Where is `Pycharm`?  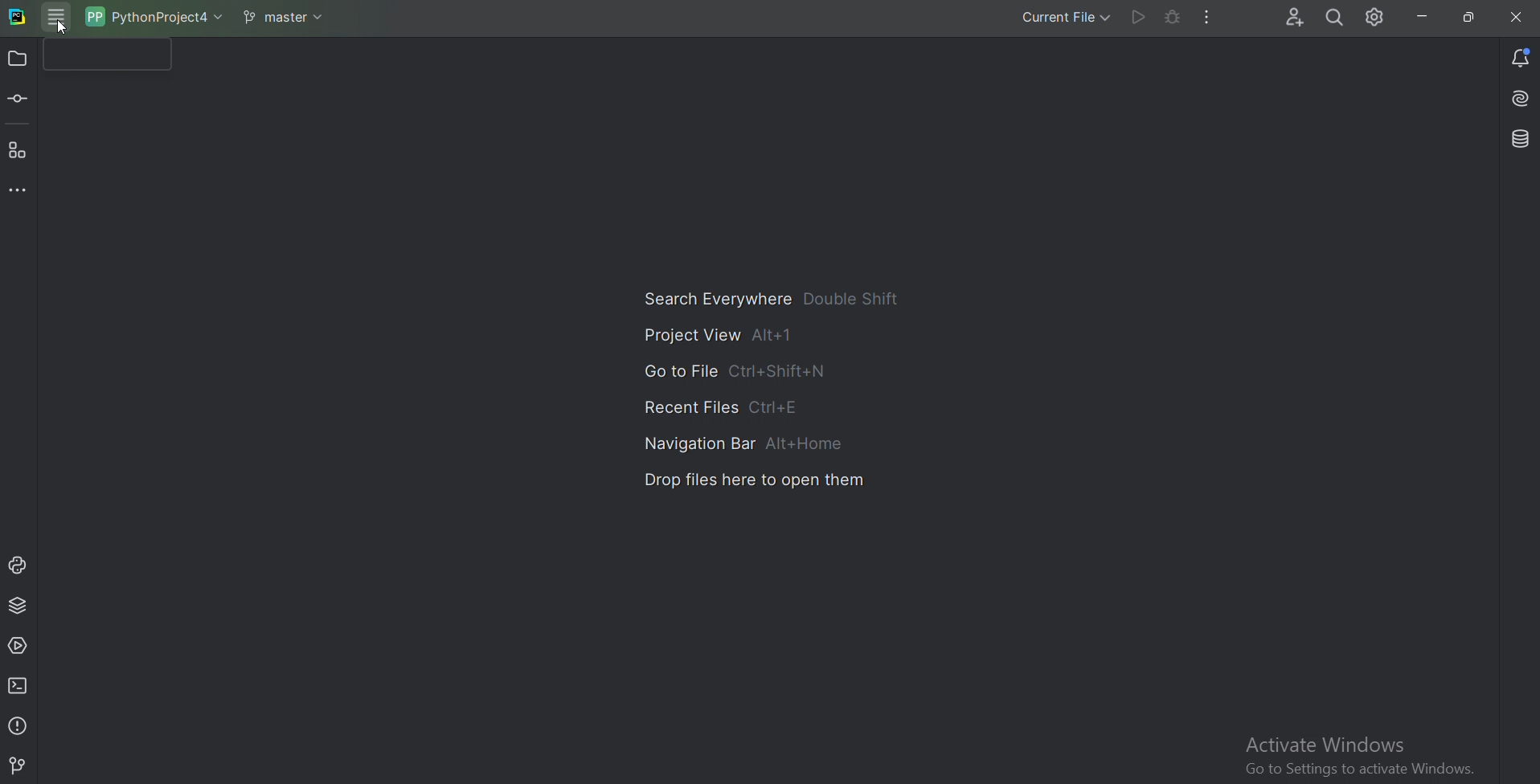
Pycharm is located at coordinates (16, 18).